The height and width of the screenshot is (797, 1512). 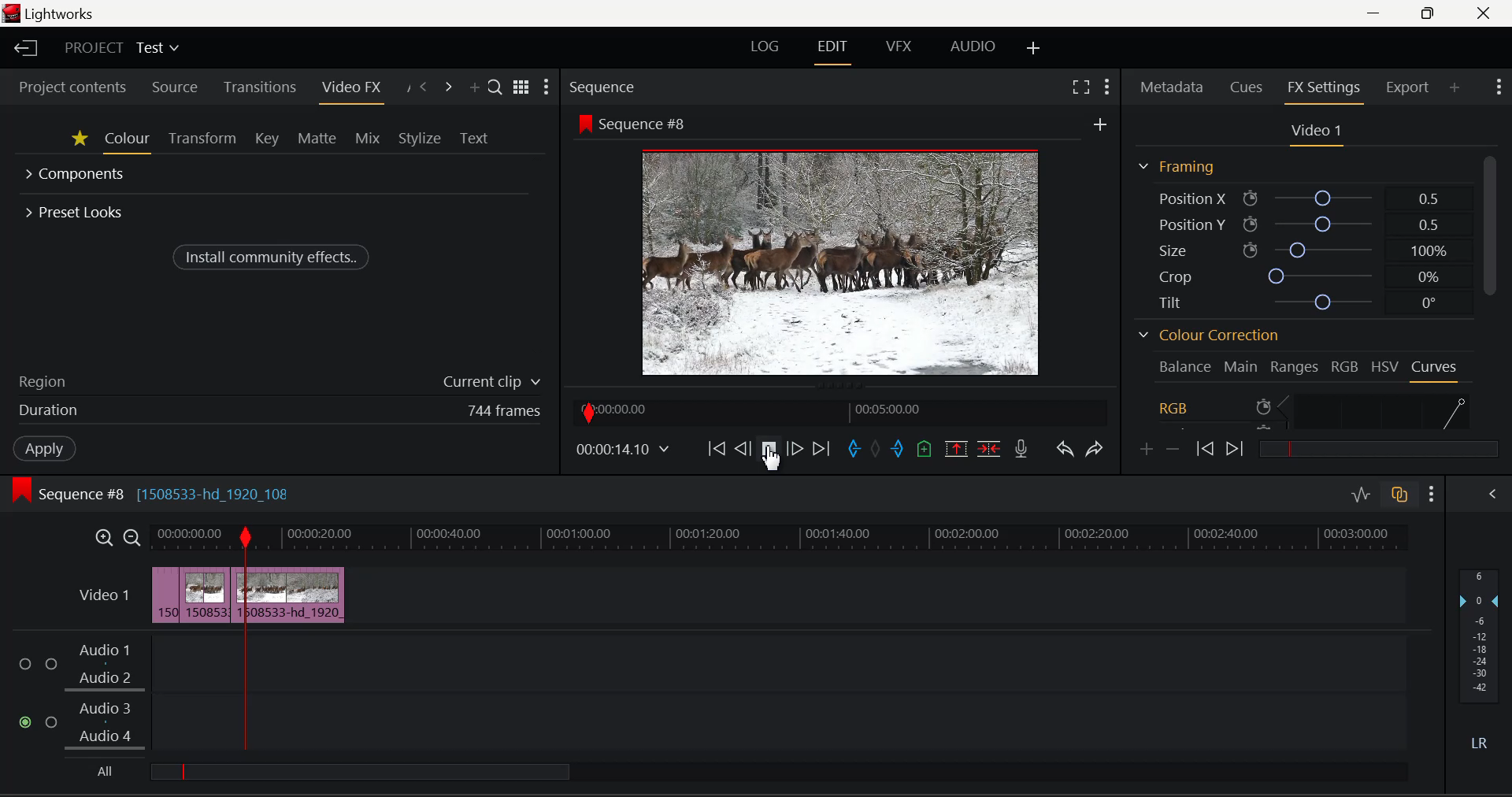 What do you see at coordinates (1296, 275) in the screenshot?
I see `Crop` at bounding box center [1296, 275].